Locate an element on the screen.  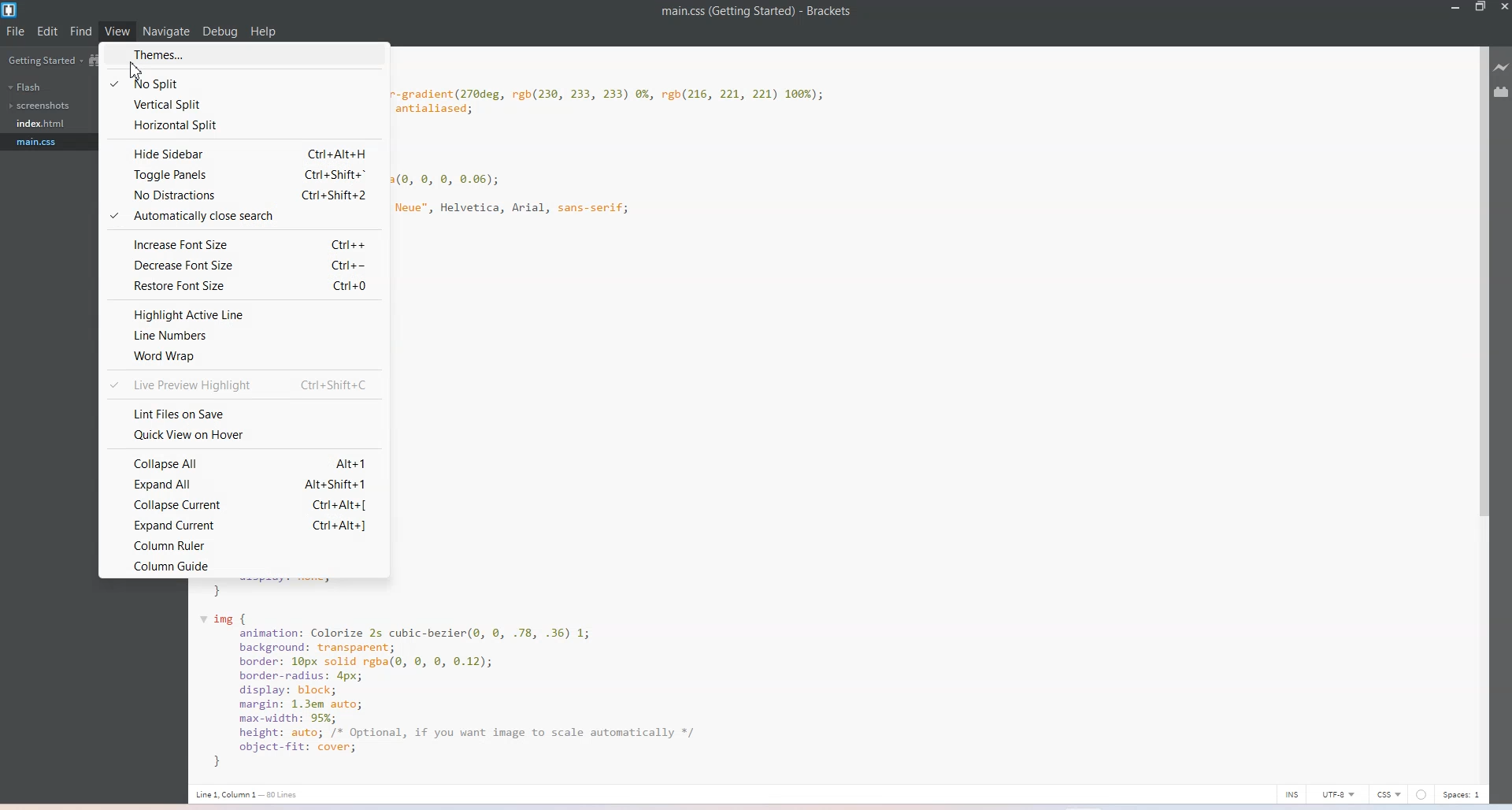
Help is located at coordinates (264, 32).